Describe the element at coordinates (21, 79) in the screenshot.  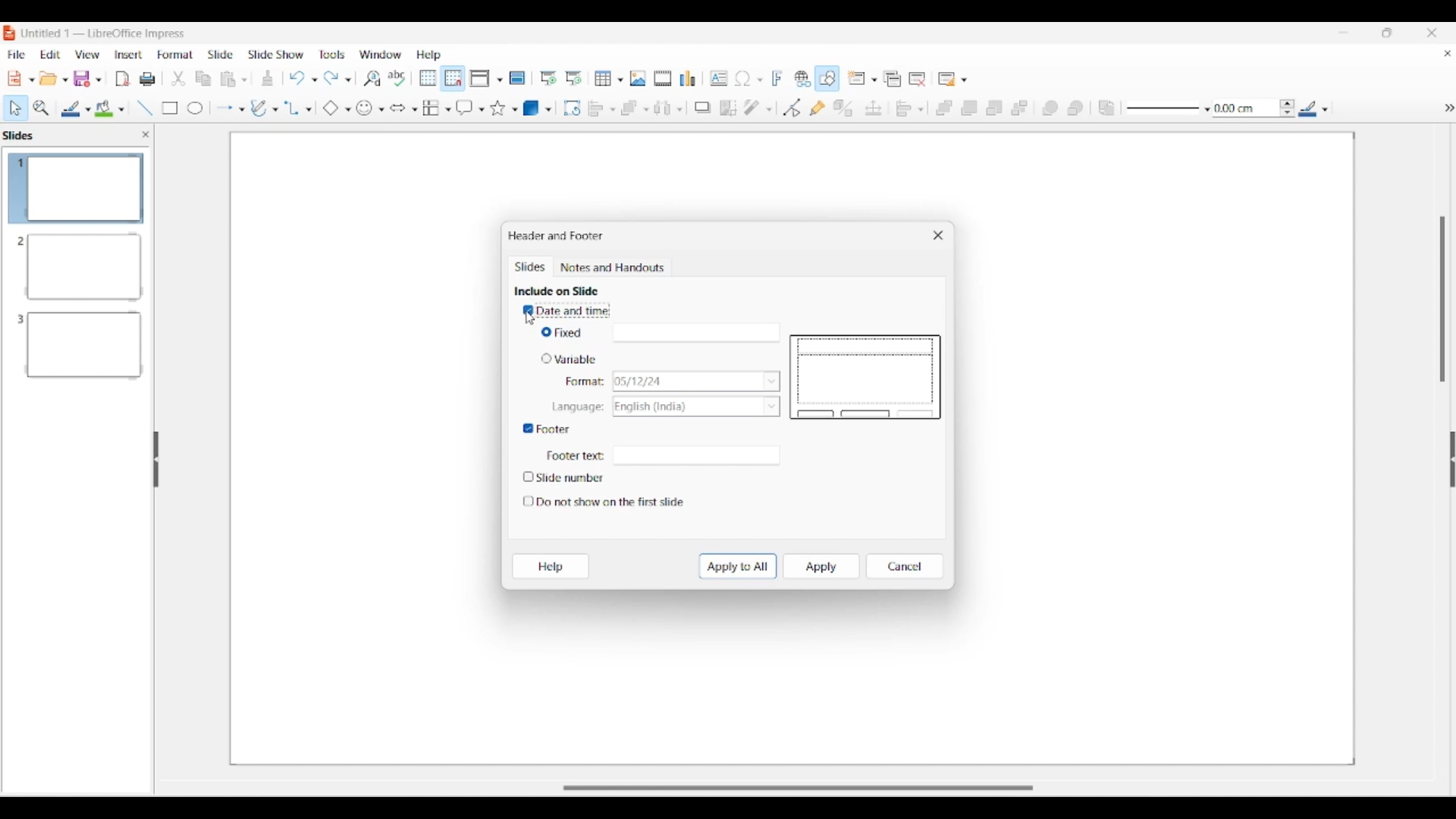
I see `New document options` at that location.